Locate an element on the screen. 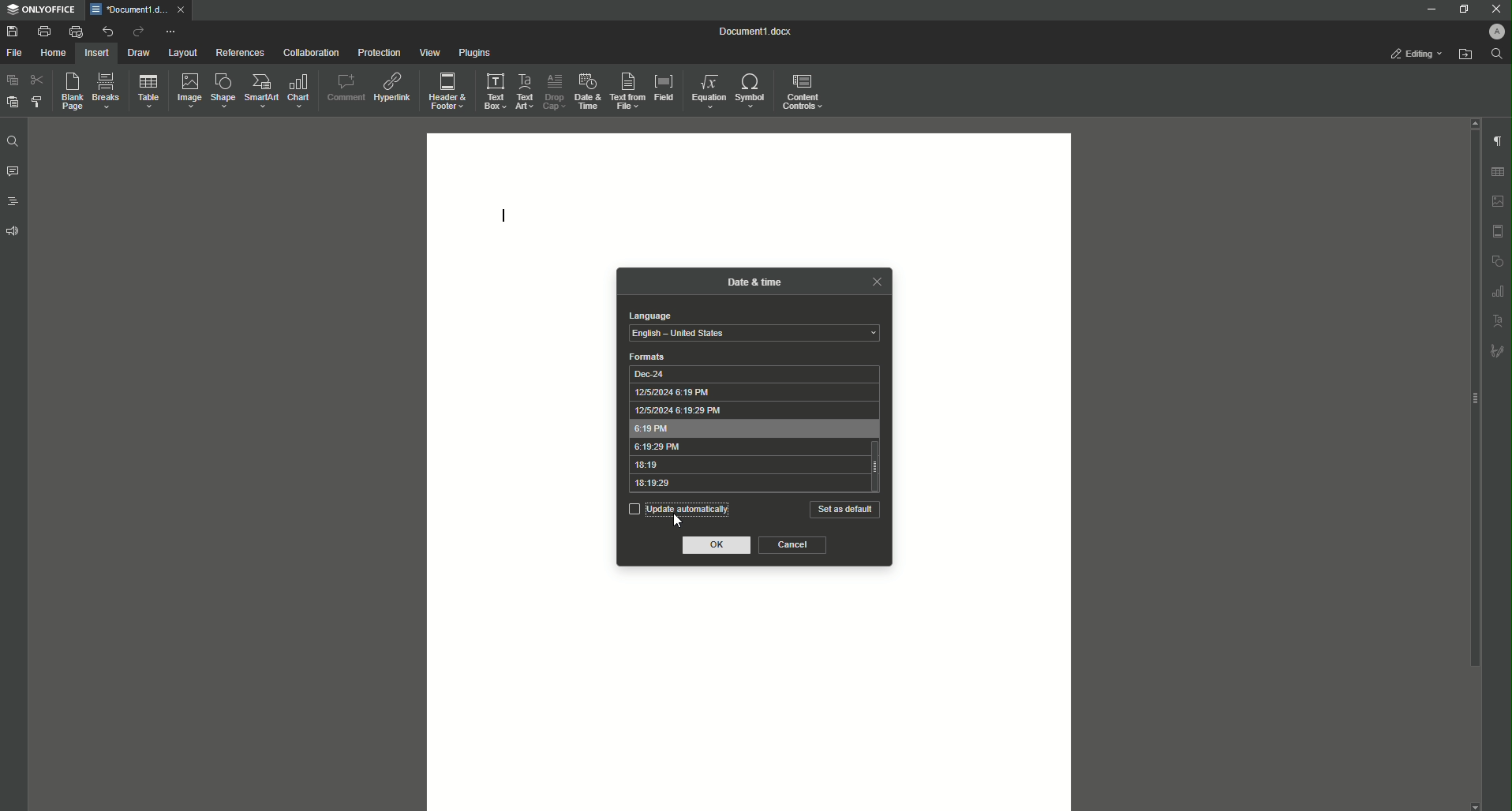 This screenshot has height=811, width=1512. Print is located at coordinates (43, 31).